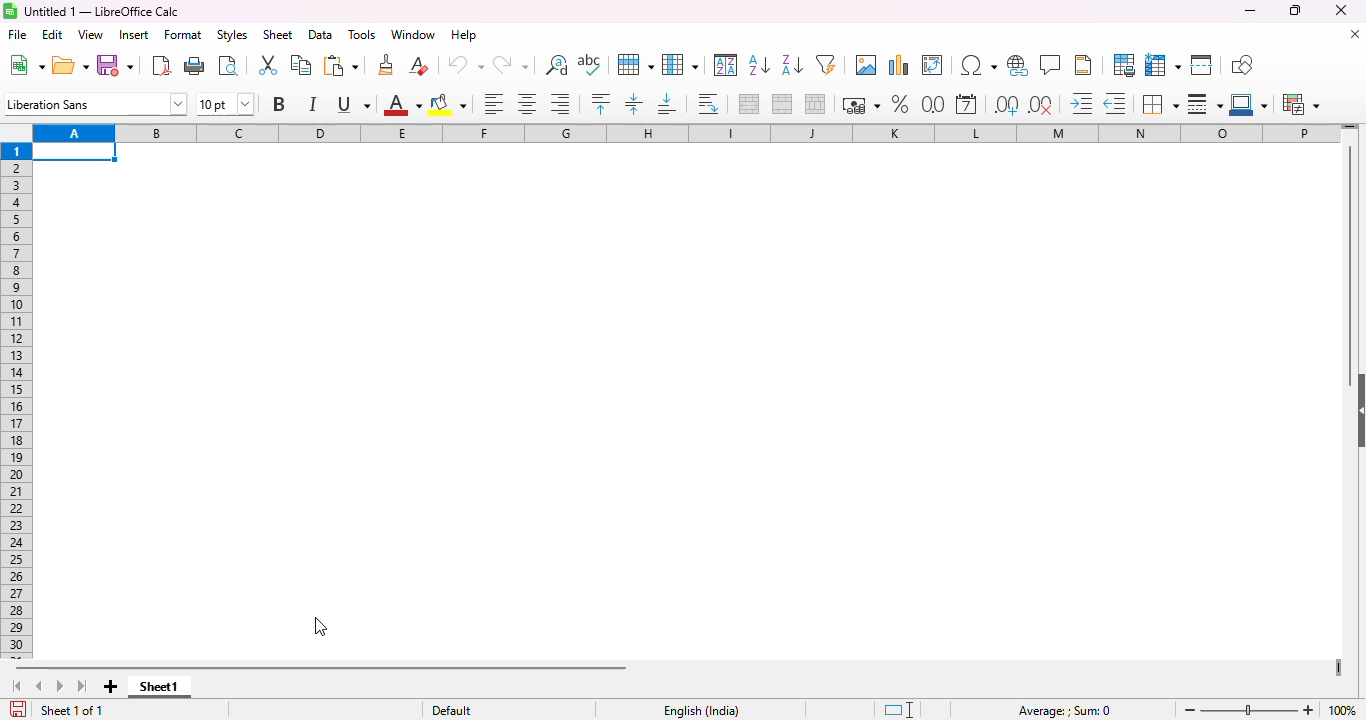  Describe the element at coordinates (418, 66) in the screenshot. I see `clear direct formatting` at that location.